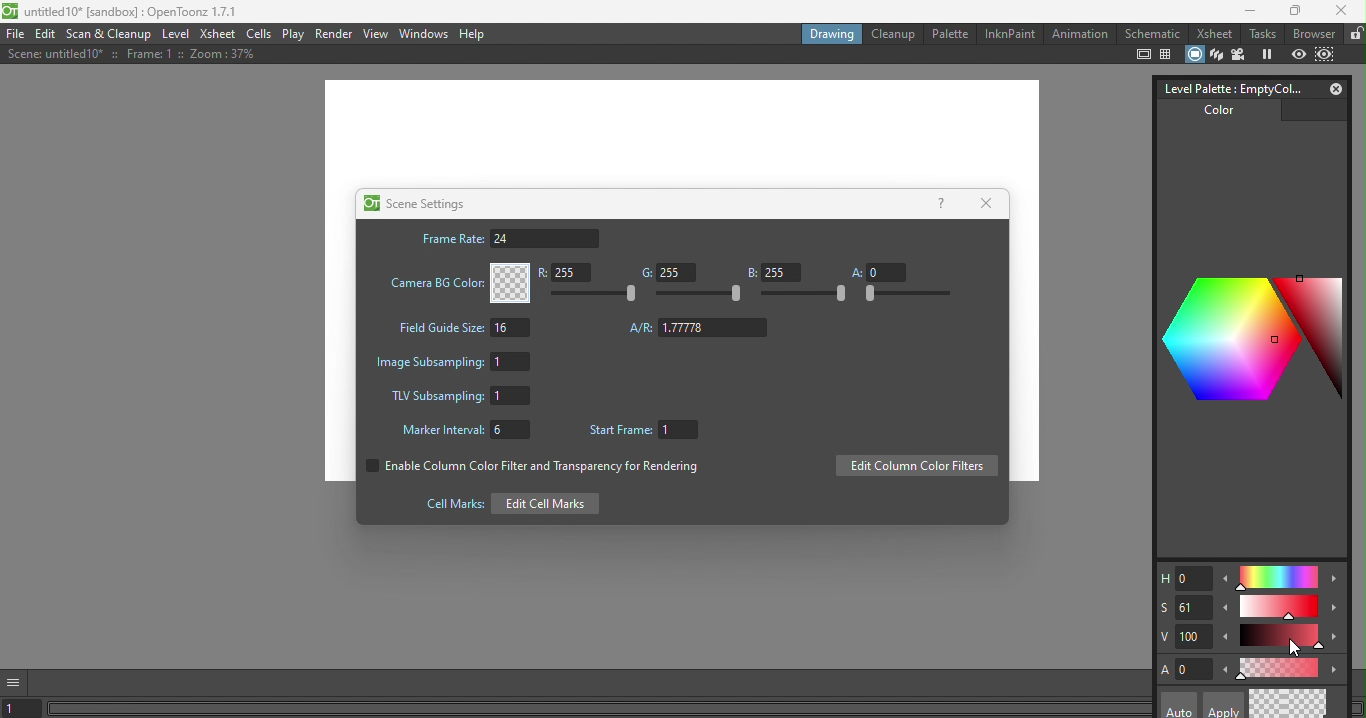 This screenshot has width=1366, height=718. What do you see at coordinates (1262, 34) in the screenshot?
I see `Tasks` at bounding box center [1262, 34].